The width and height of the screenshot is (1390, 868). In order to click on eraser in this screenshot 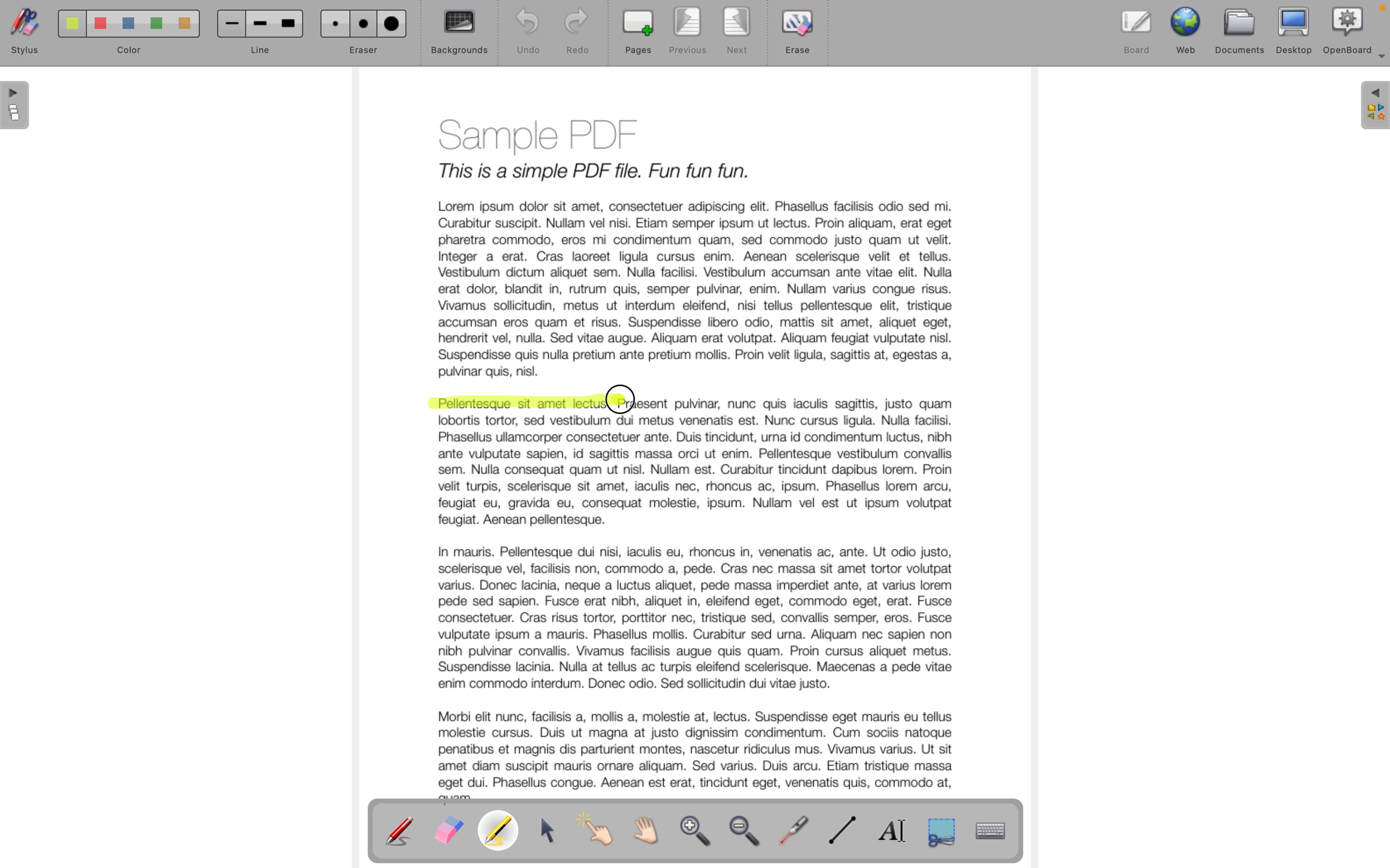, I will do `click(448, 831)`.